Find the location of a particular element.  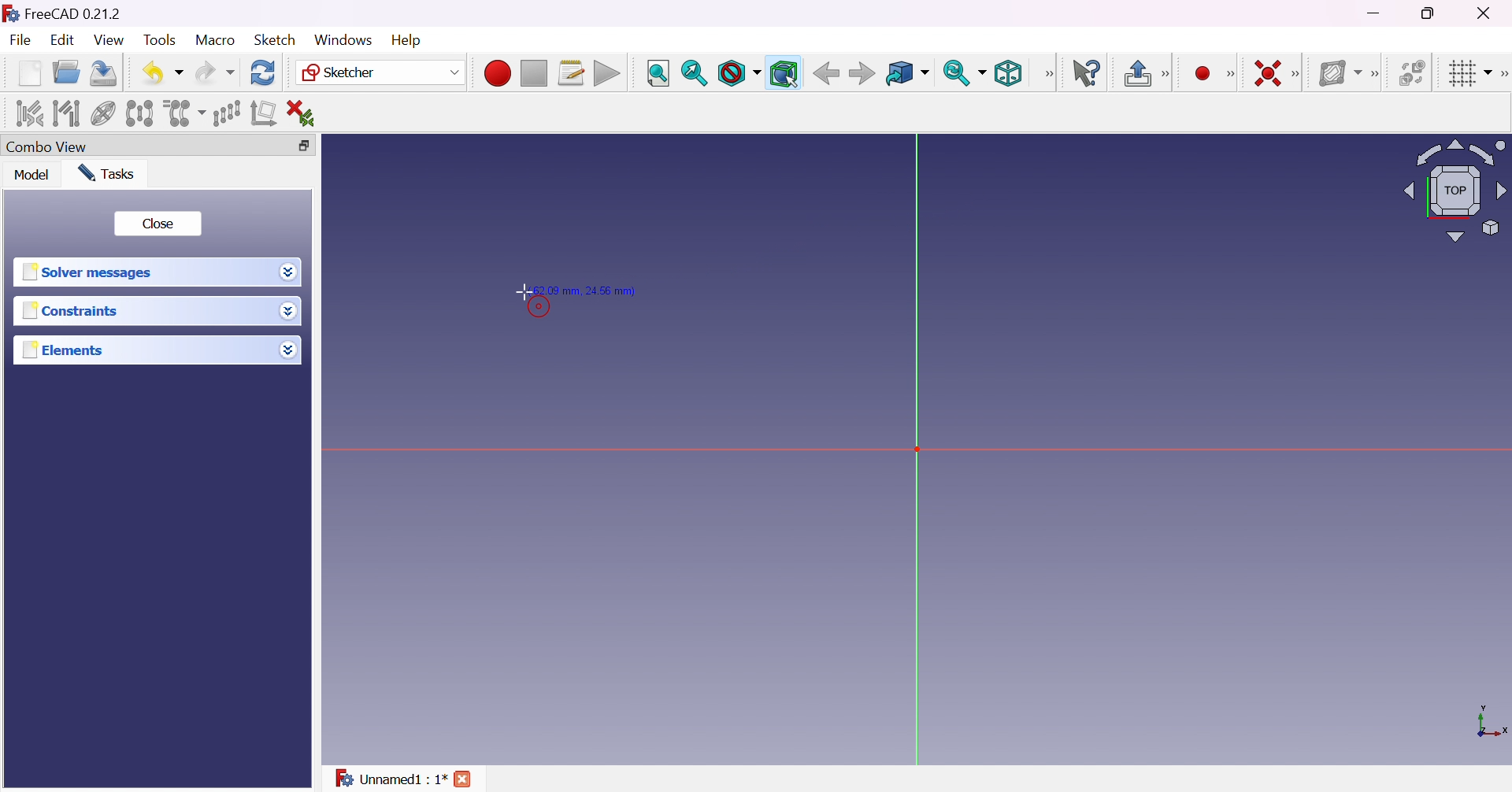

Viewing angle is located at coordinates (1452, 192).